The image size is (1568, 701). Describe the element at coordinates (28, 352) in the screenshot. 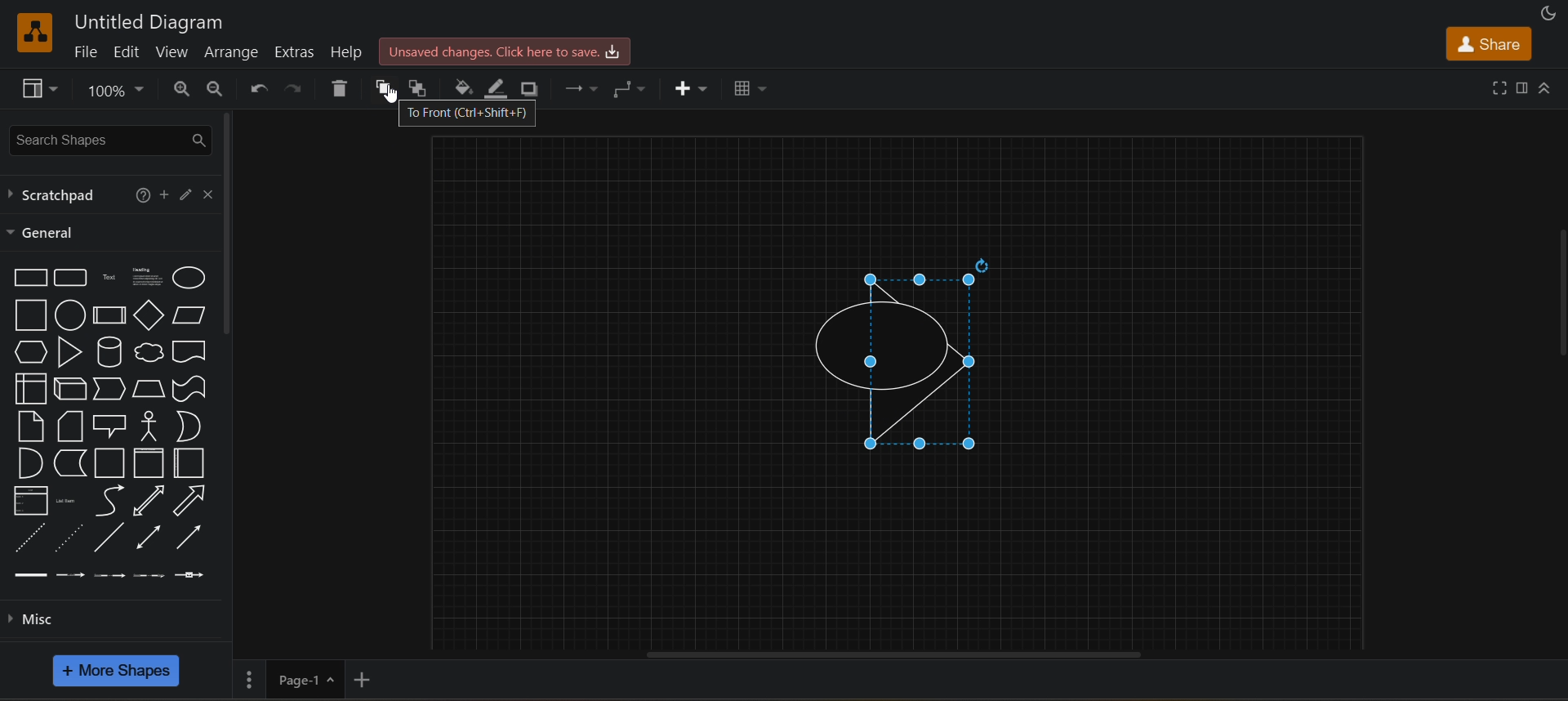

I see `hexagon` at that location.